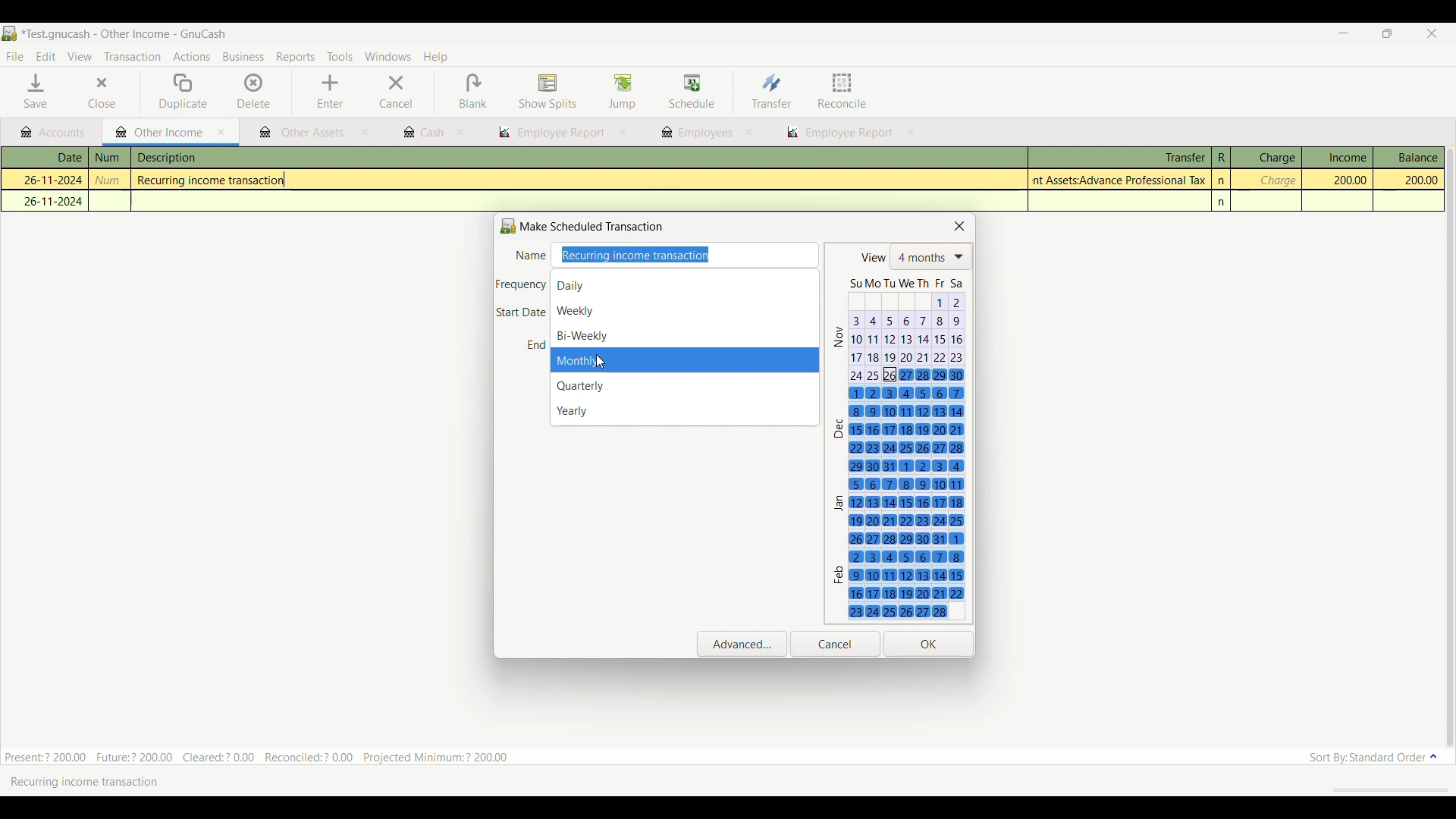 The height and width of the screenshot is (819, 1456). I want to click on num, so click(111, 180).